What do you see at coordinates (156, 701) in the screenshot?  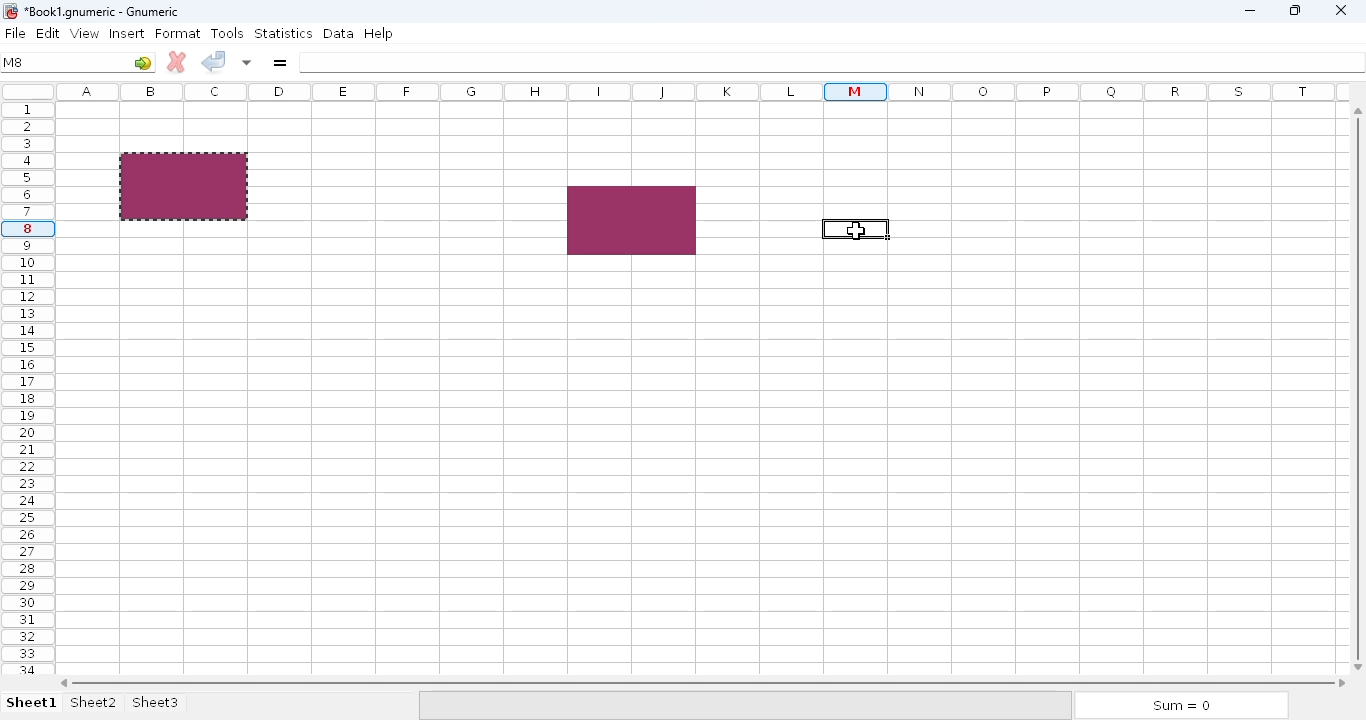 I see `sheet3` at bounding box center [156, 701].